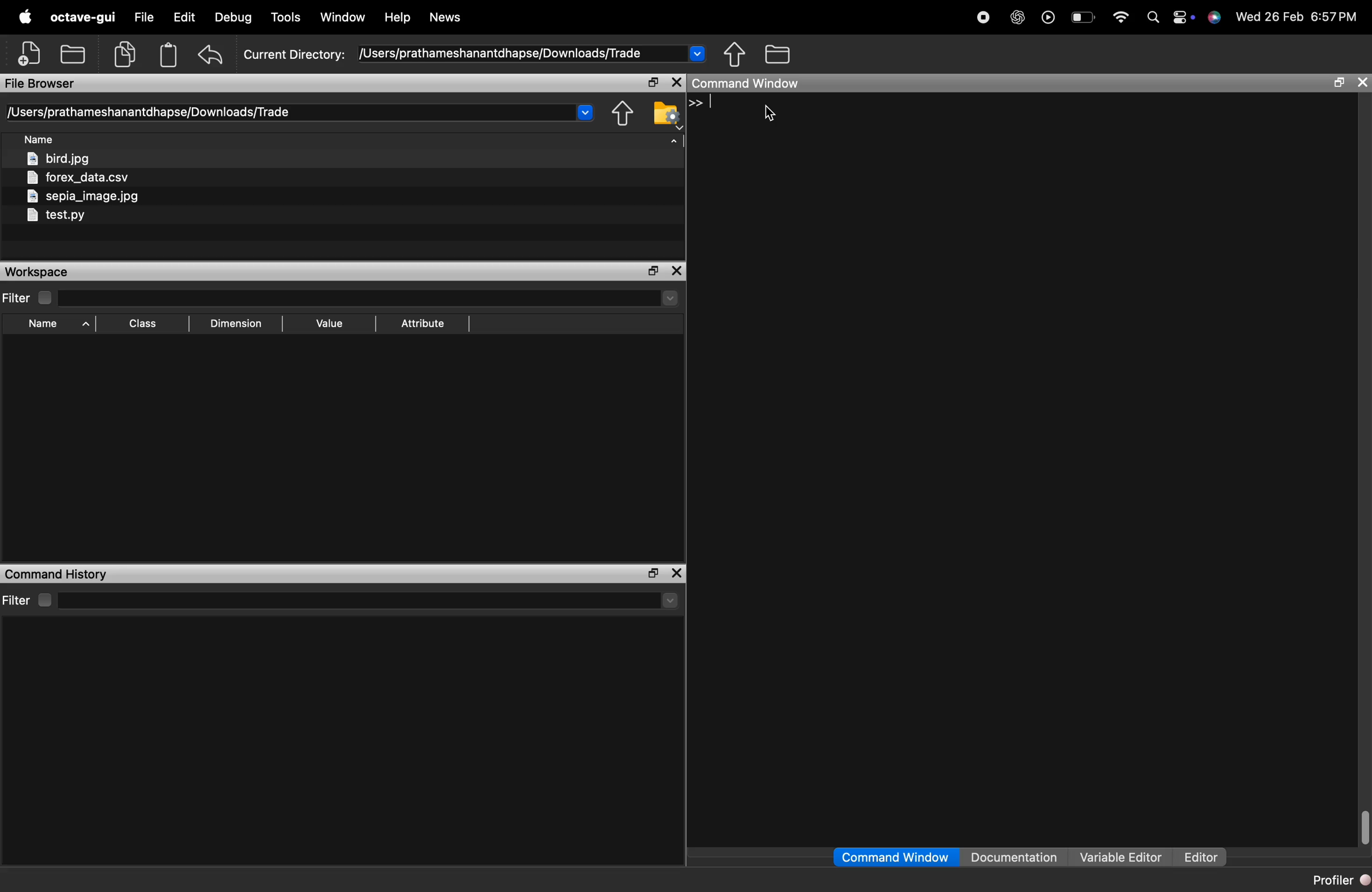 The height and width of the screenshot is (892, 1372). I want to click on sort by file name, so click(38, 139).